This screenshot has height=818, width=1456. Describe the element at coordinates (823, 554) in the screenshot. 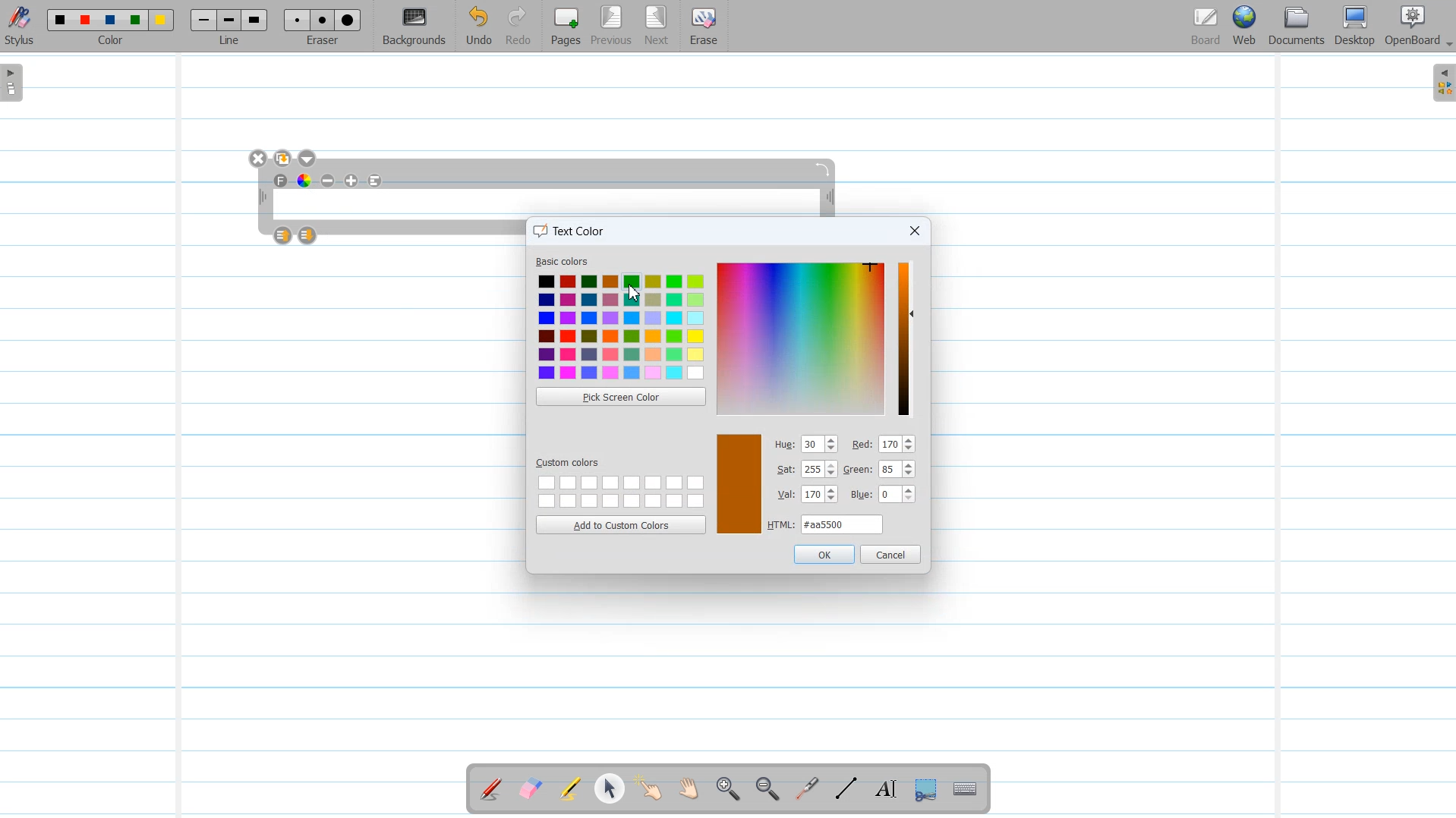

I see `OK` at that location.